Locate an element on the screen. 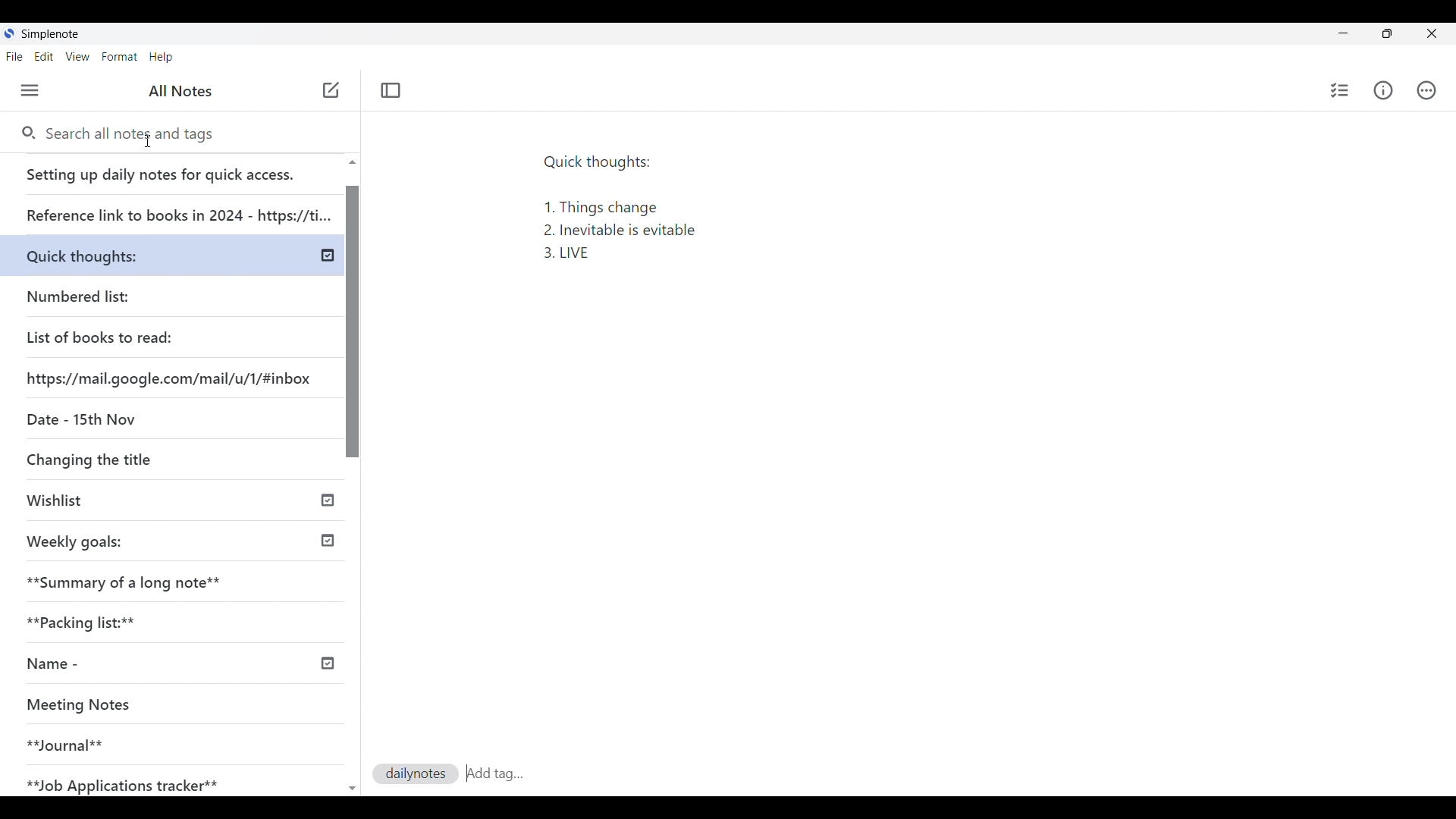 Image resolution: width=1456 pixels, height=819 pixels. Menu is located at coordinates (30, 90).